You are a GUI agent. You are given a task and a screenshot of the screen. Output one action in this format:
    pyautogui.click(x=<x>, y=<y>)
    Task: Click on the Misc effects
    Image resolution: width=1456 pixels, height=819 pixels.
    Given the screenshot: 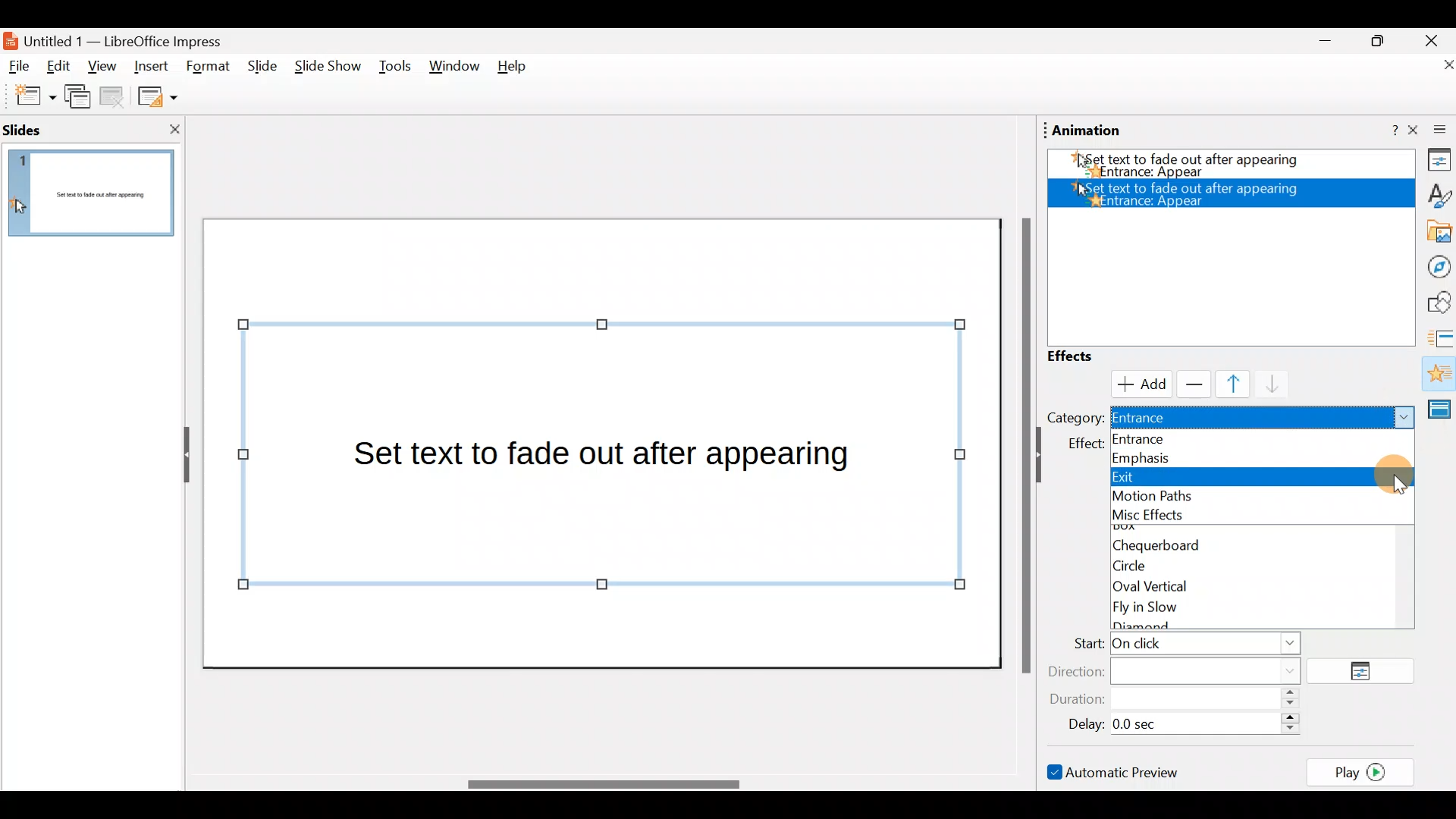 What is the action you would take?
    pyautogui.click(x=1268, y=518)
    